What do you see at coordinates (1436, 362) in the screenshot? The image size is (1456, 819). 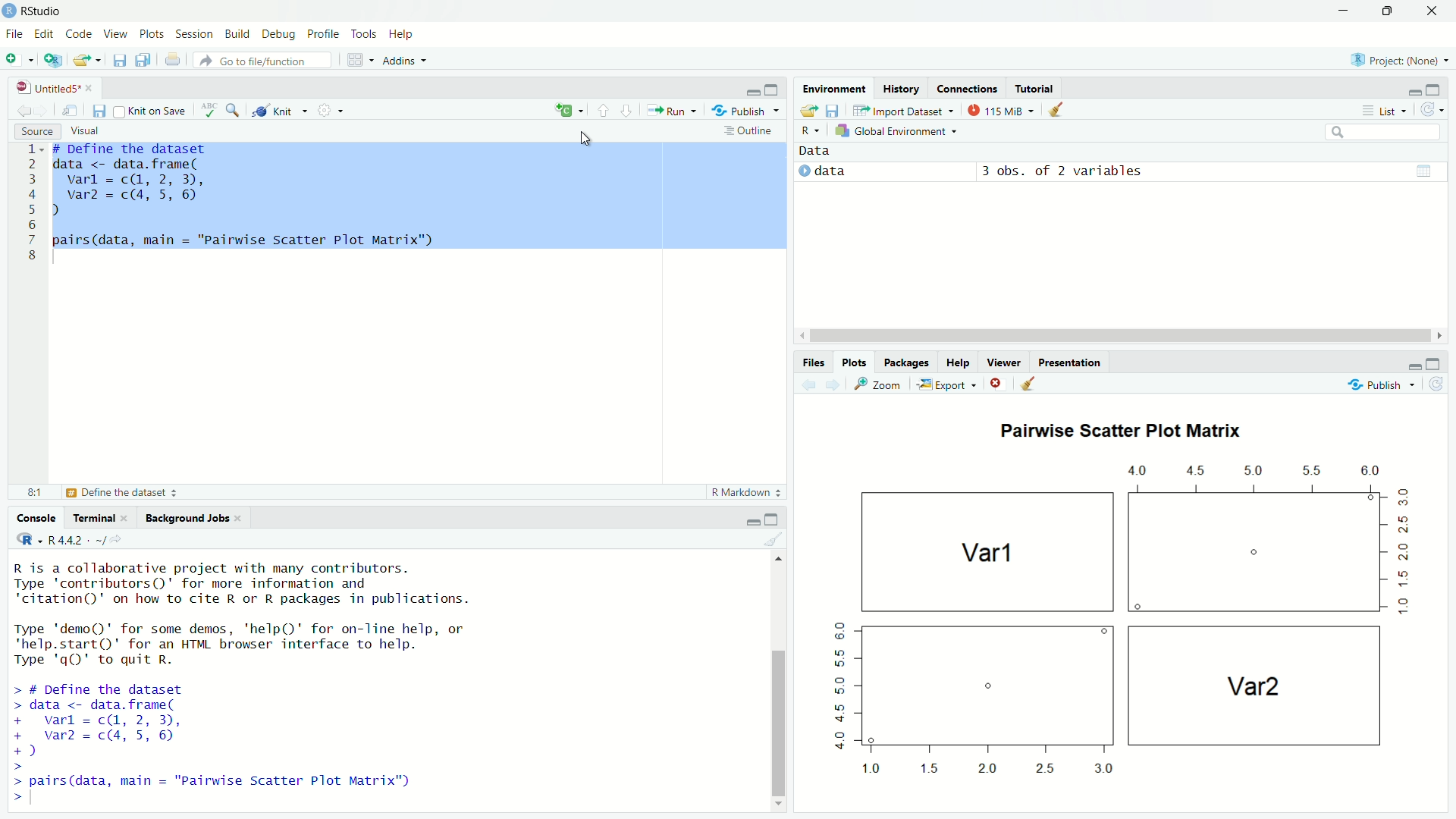 I see `Maximize` at bounding box center [1436, 362].